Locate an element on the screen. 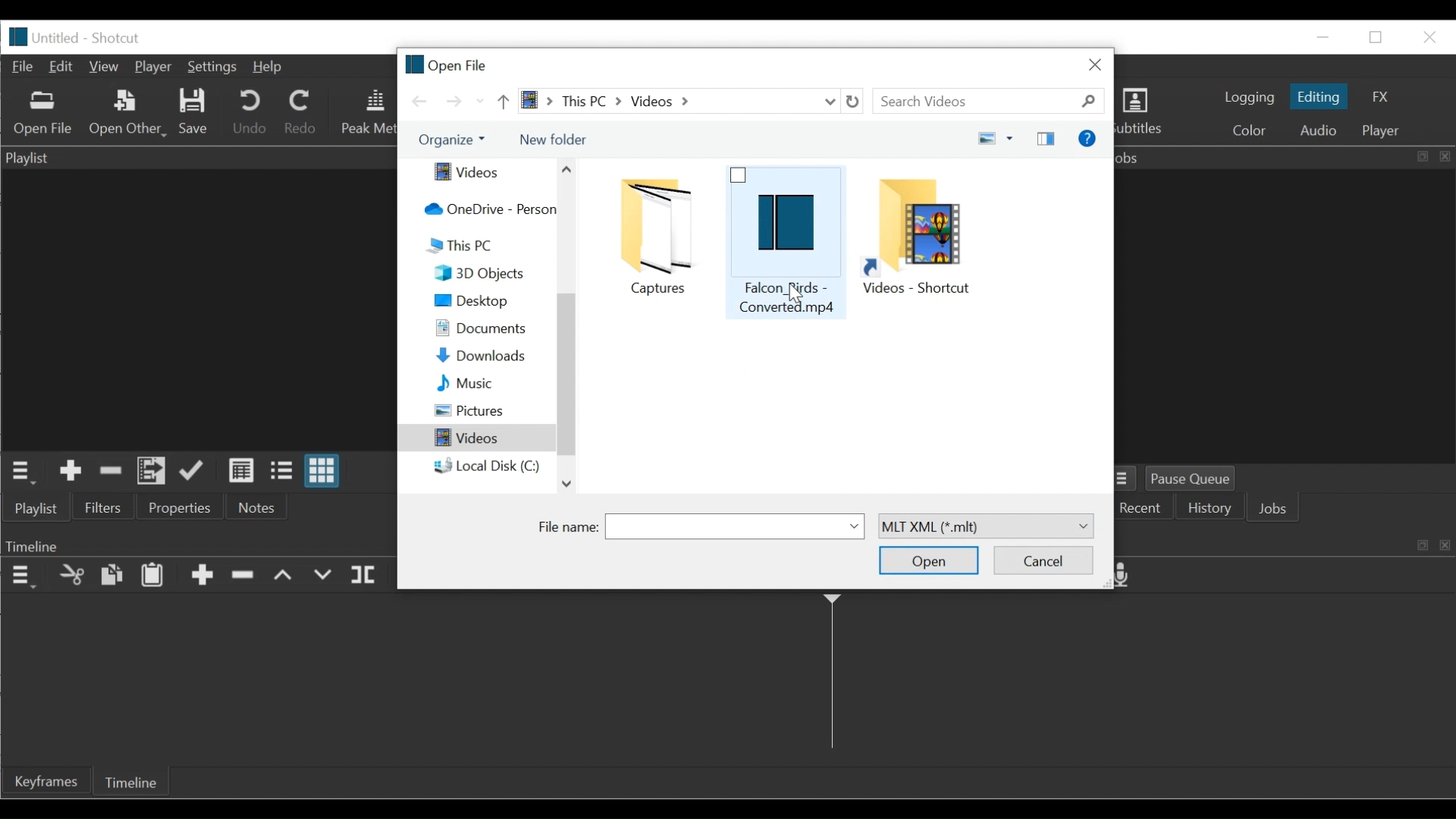 This screenshot has height=819, width=1456. View as icons is located at coordinates (325, 471).